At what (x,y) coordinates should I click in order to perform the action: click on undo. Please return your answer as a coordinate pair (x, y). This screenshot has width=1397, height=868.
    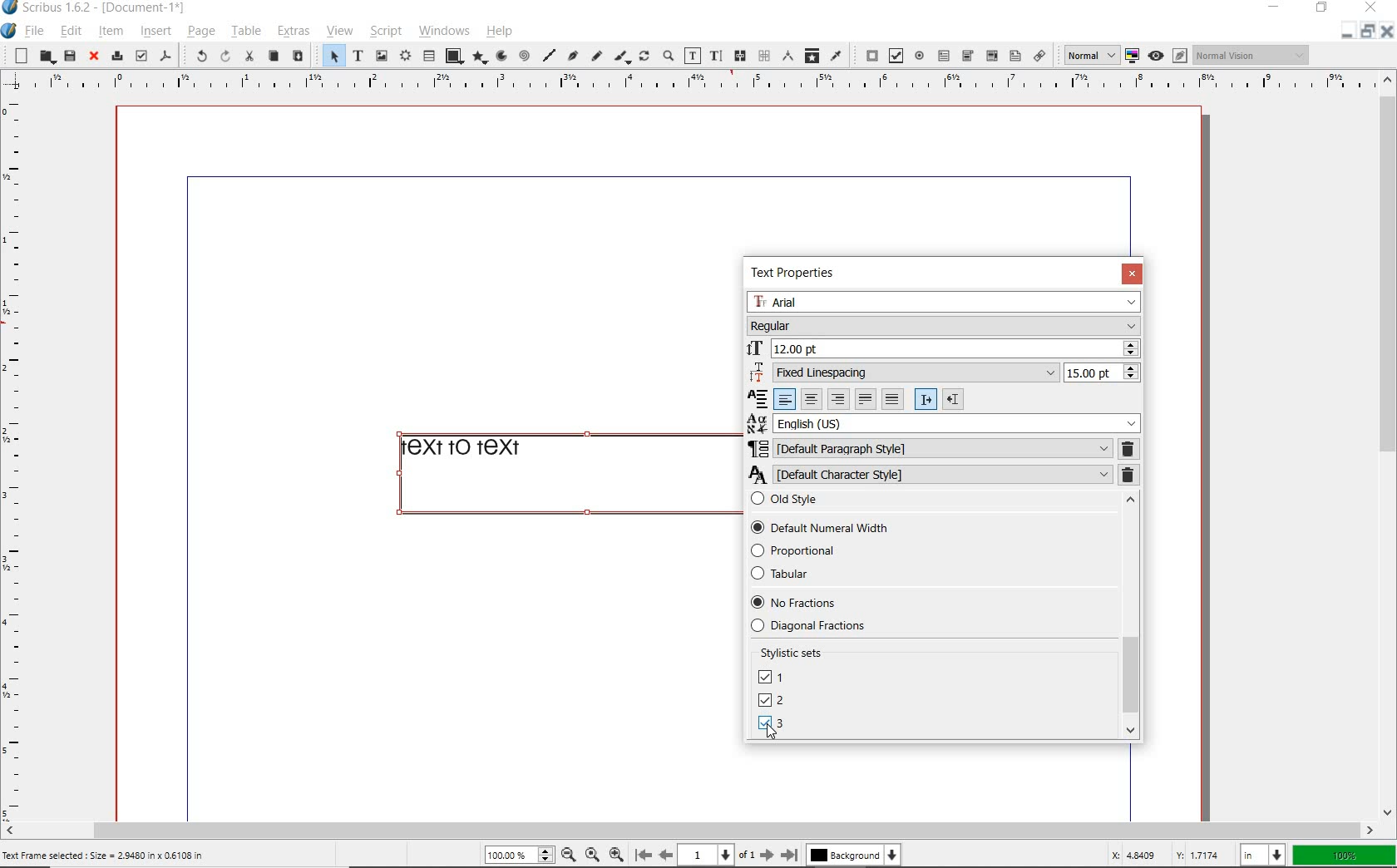
    Looking at the image, I should click on (195, 55).